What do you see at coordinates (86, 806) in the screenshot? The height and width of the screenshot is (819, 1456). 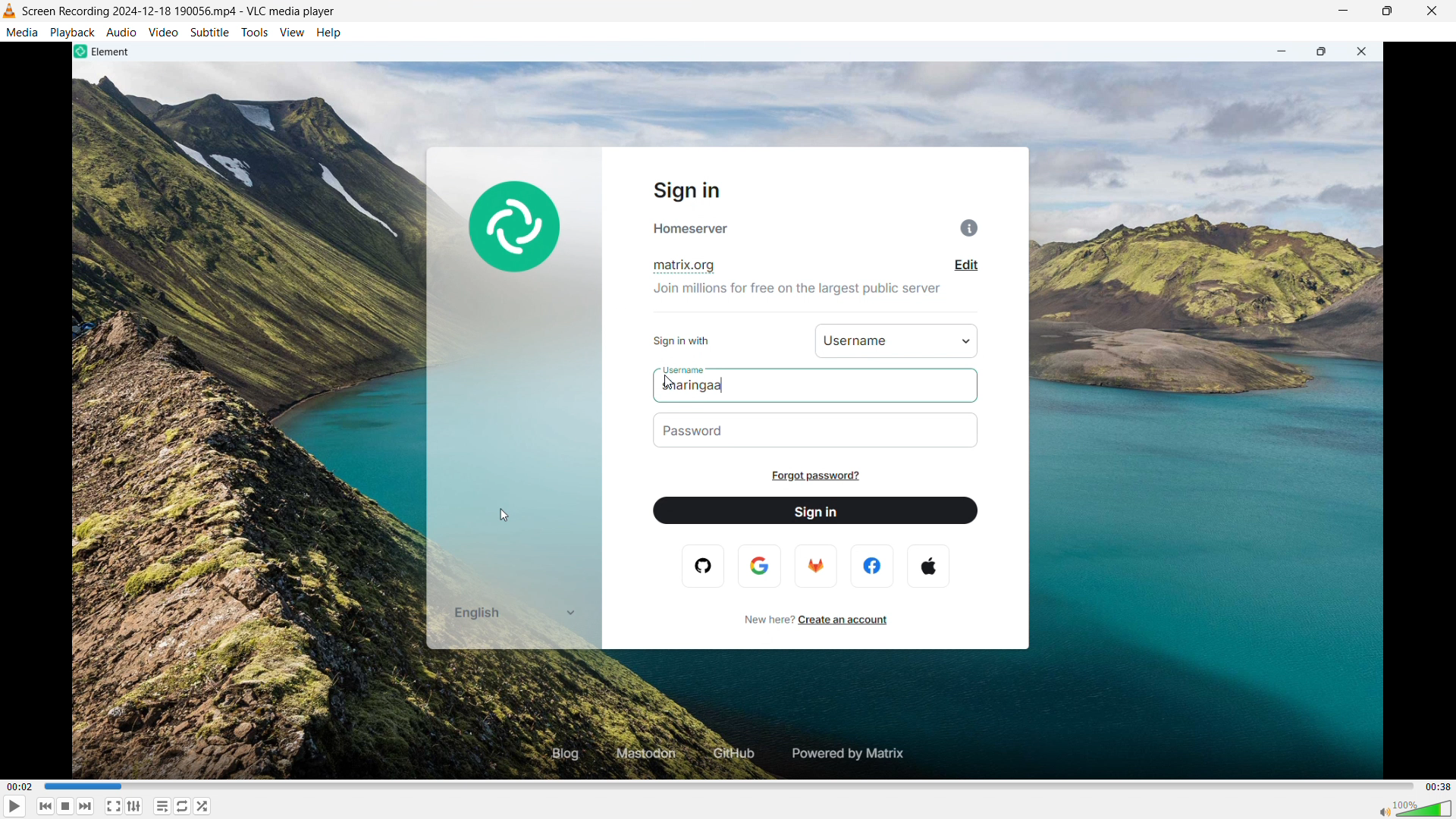 I see `forward or next media` at bounding box center [86, 806].